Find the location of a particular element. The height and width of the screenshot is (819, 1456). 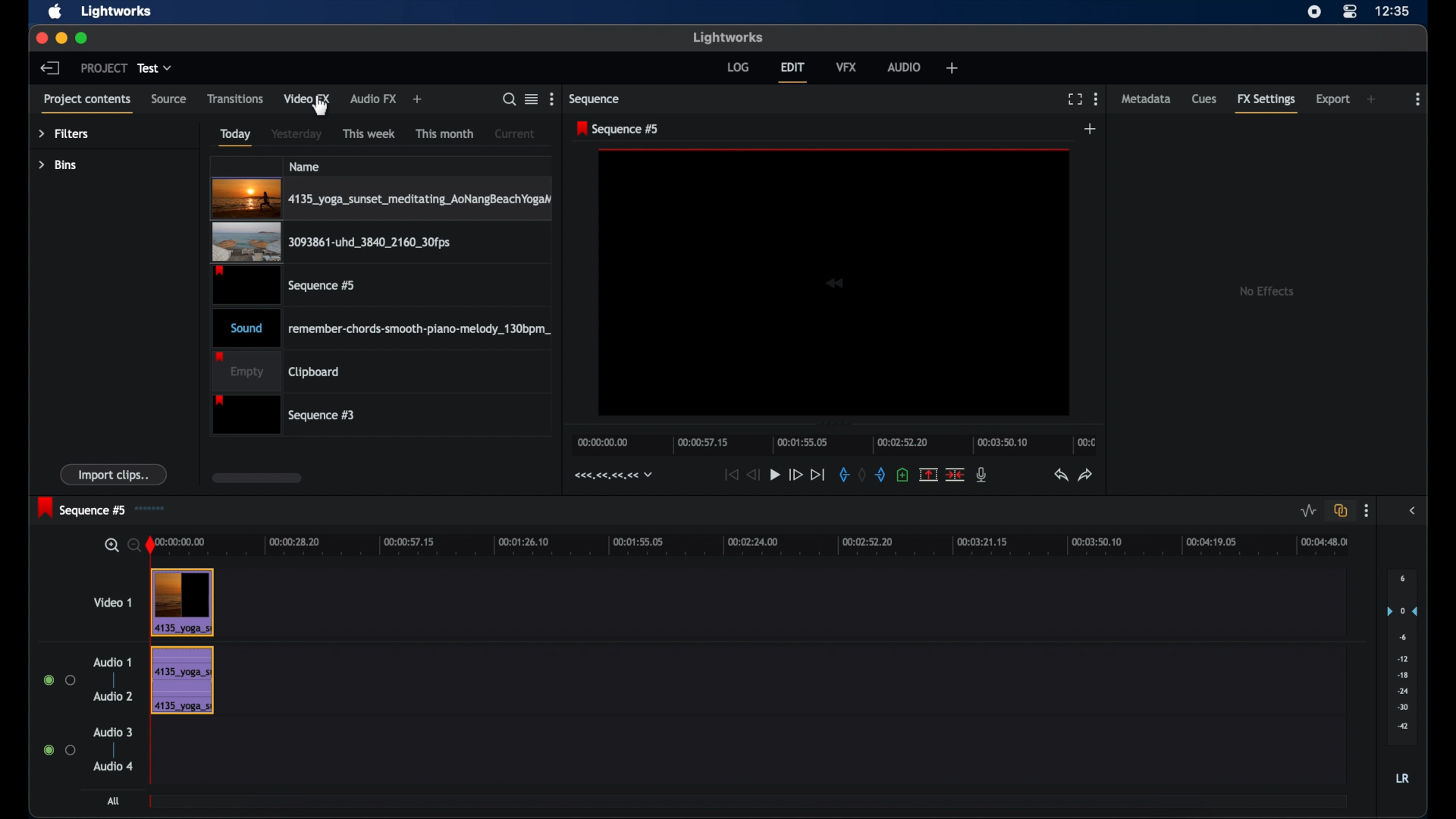

sequence 5 is located at coordinates (81, 508).